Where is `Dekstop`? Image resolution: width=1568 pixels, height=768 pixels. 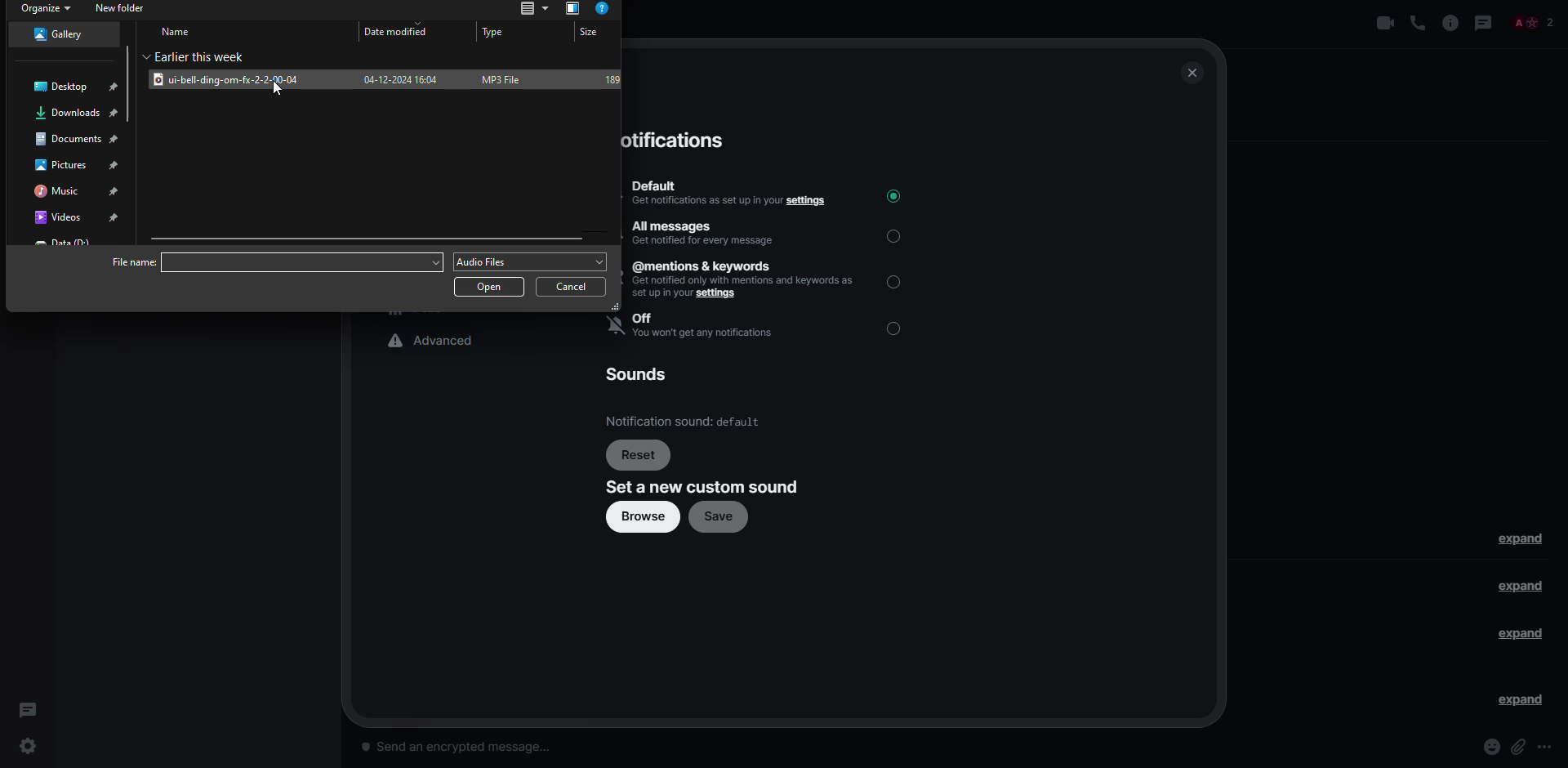 Dekstop is located at coordinates (76, 85).